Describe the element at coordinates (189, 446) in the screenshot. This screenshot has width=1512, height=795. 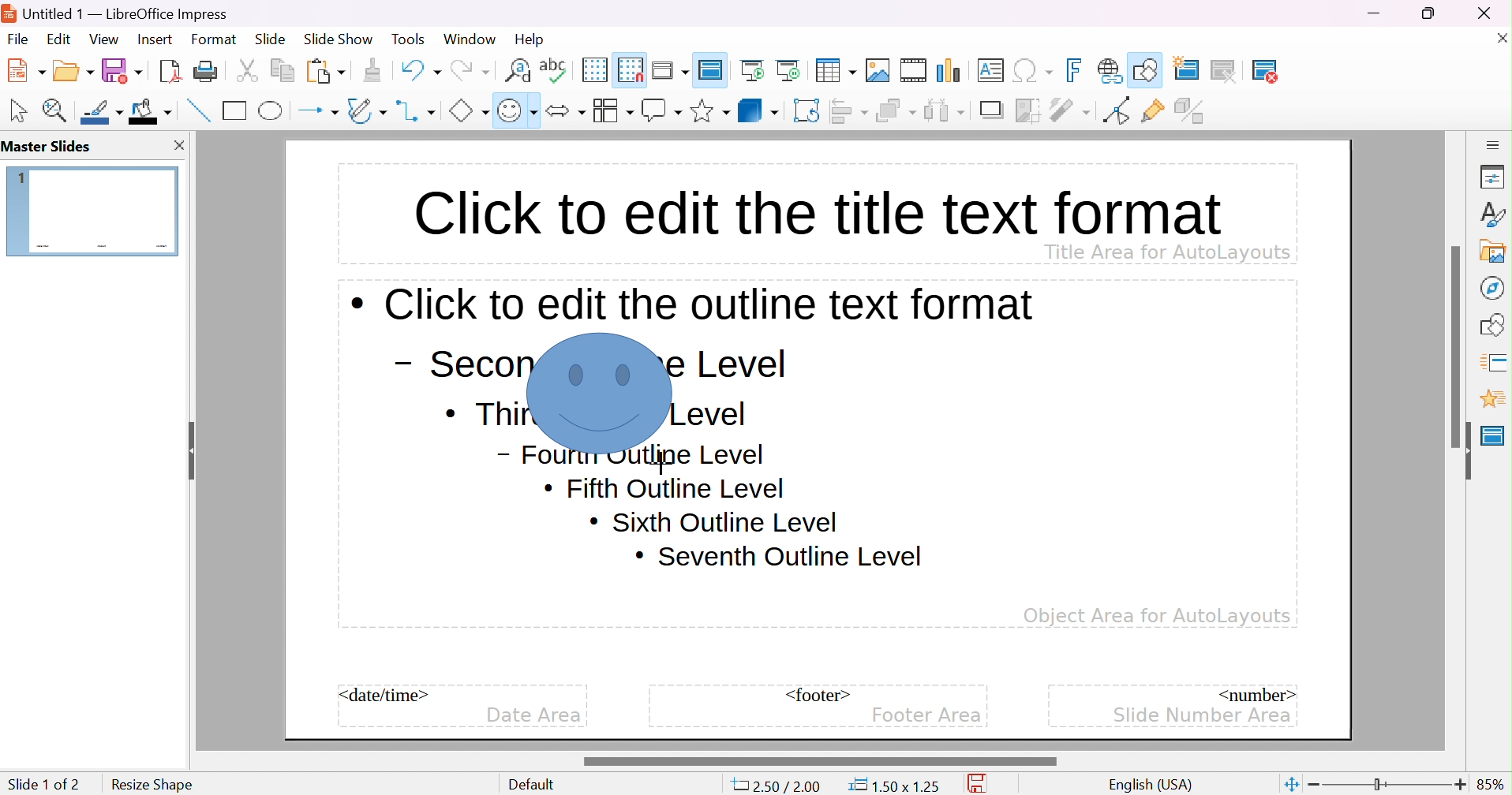
I see `hide` at that location.